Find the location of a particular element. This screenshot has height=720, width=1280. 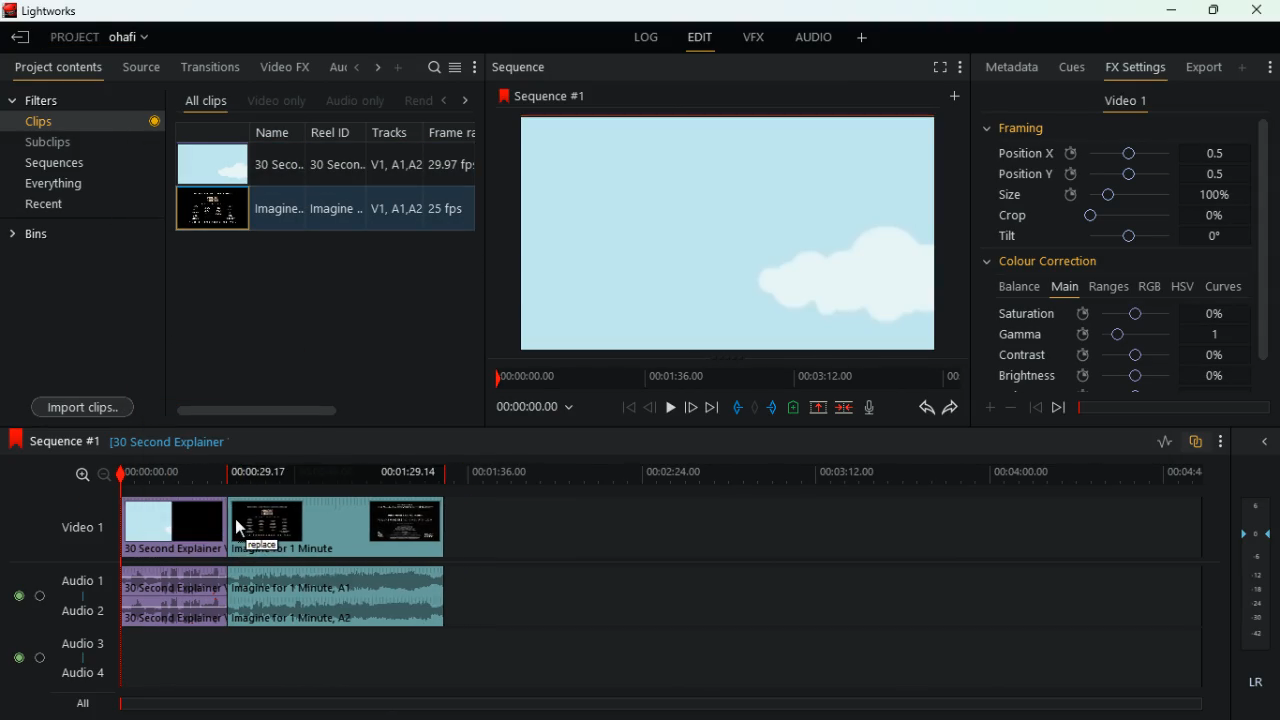

search is located at coordinates (432, 67).